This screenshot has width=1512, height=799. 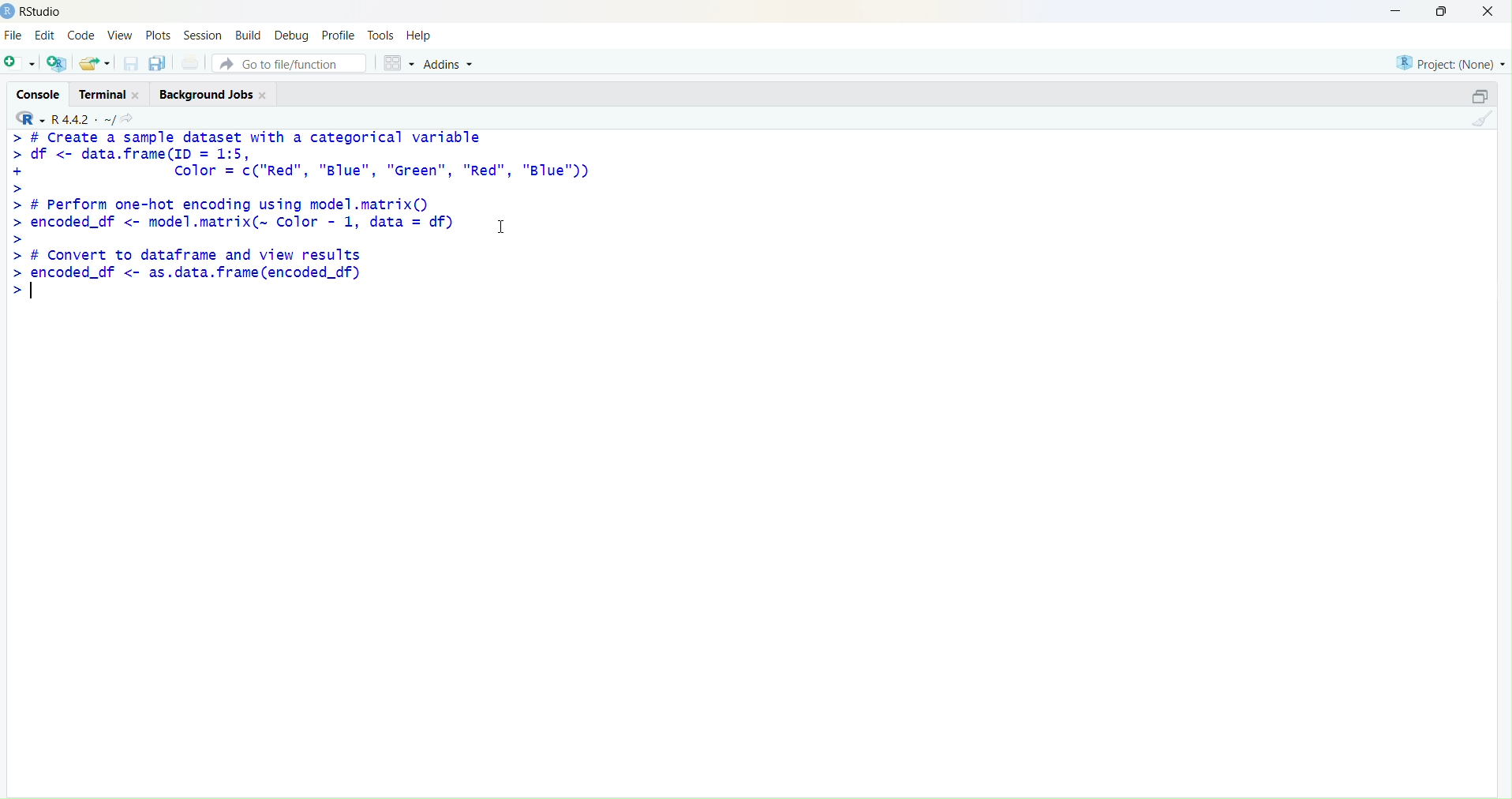 What do you see at coordinates (1396, 11) in the screenshot?
I see `minimise` at bounding box center [1396, 11].